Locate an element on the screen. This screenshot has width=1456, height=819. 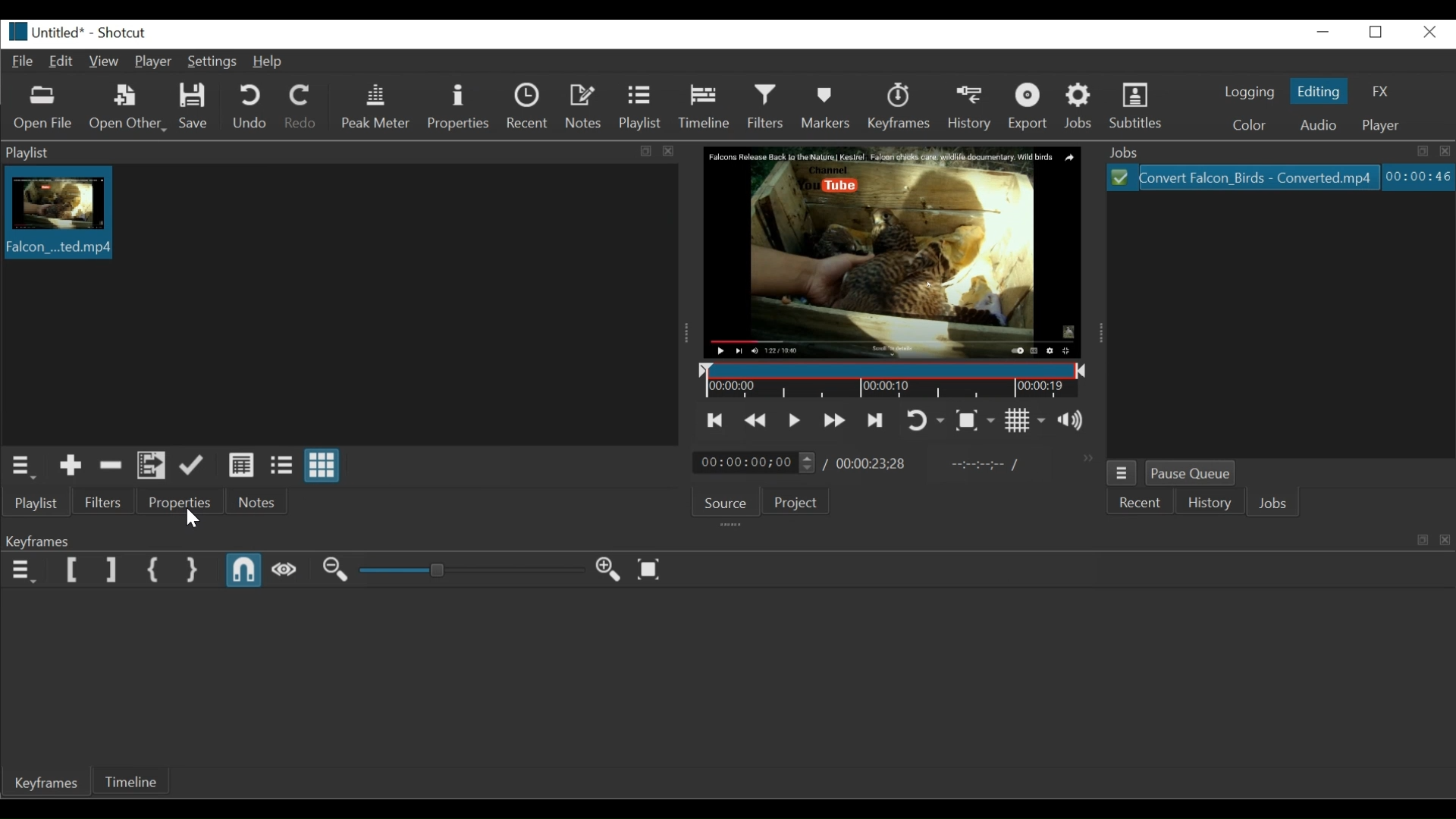
View as icons is located at coordinates (322, 466).